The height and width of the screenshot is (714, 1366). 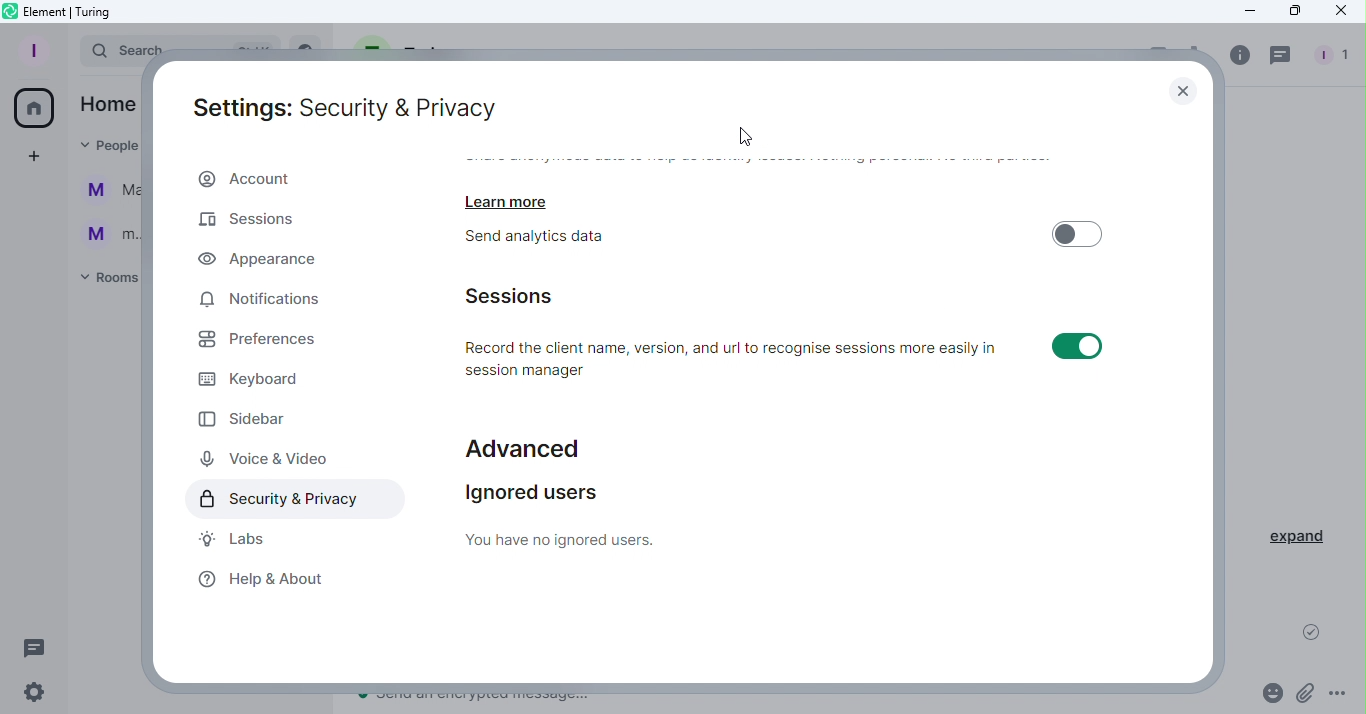 I want to click on Create a space, so click(x=33, y=157).